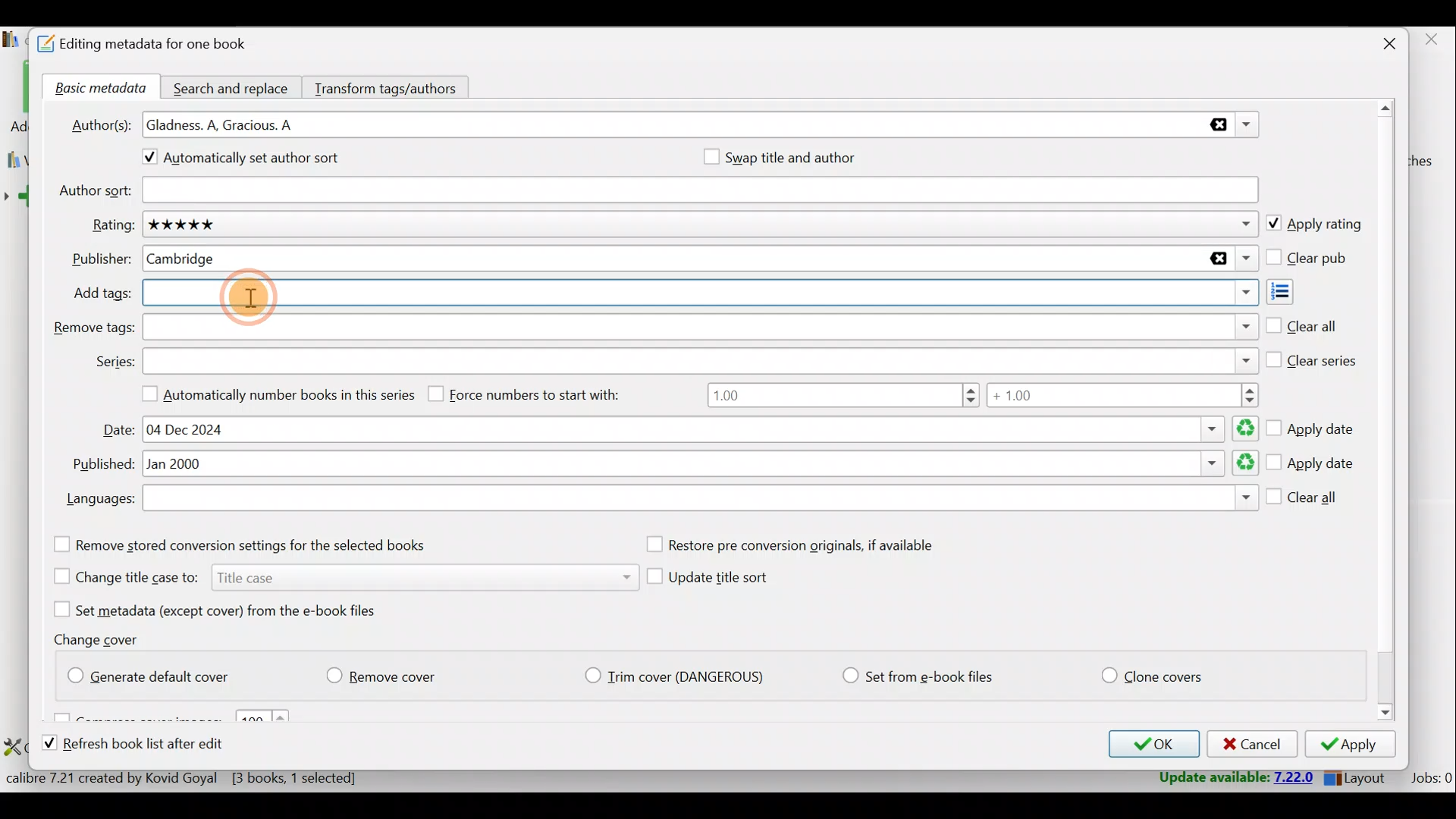 The height and width of the screenshot is (819, 1456). I want to click on Clone covers, so click(1149, 673).